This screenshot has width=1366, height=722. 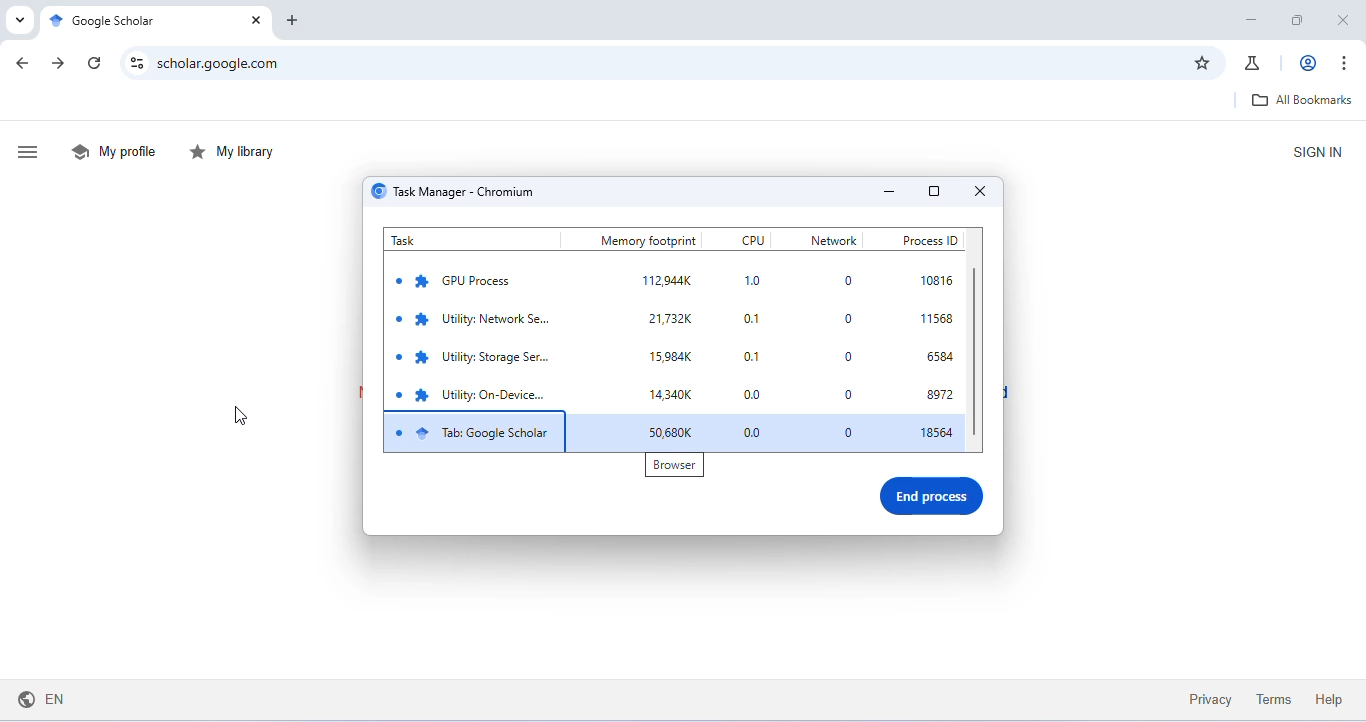 What do you see at coordinates (1275, 699) in the screenshot?
I see `terms` at bounding box center [1275, 699].